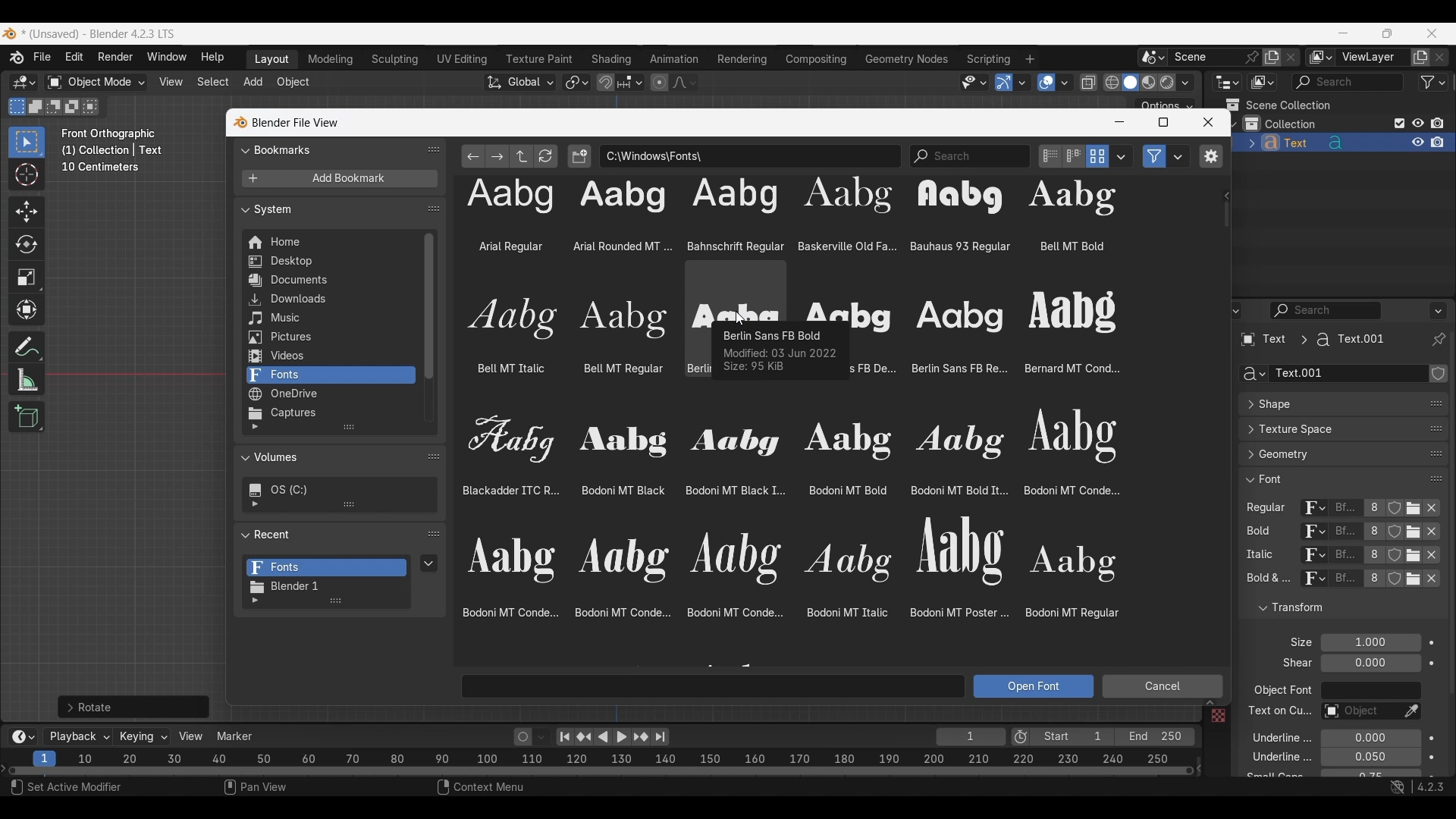 The height and width of the screenshot is (819, 1456). What do you see at coordinates (1119, 122) in the screenshot?
I see `Minimize` at bounding box center [1119, 122].